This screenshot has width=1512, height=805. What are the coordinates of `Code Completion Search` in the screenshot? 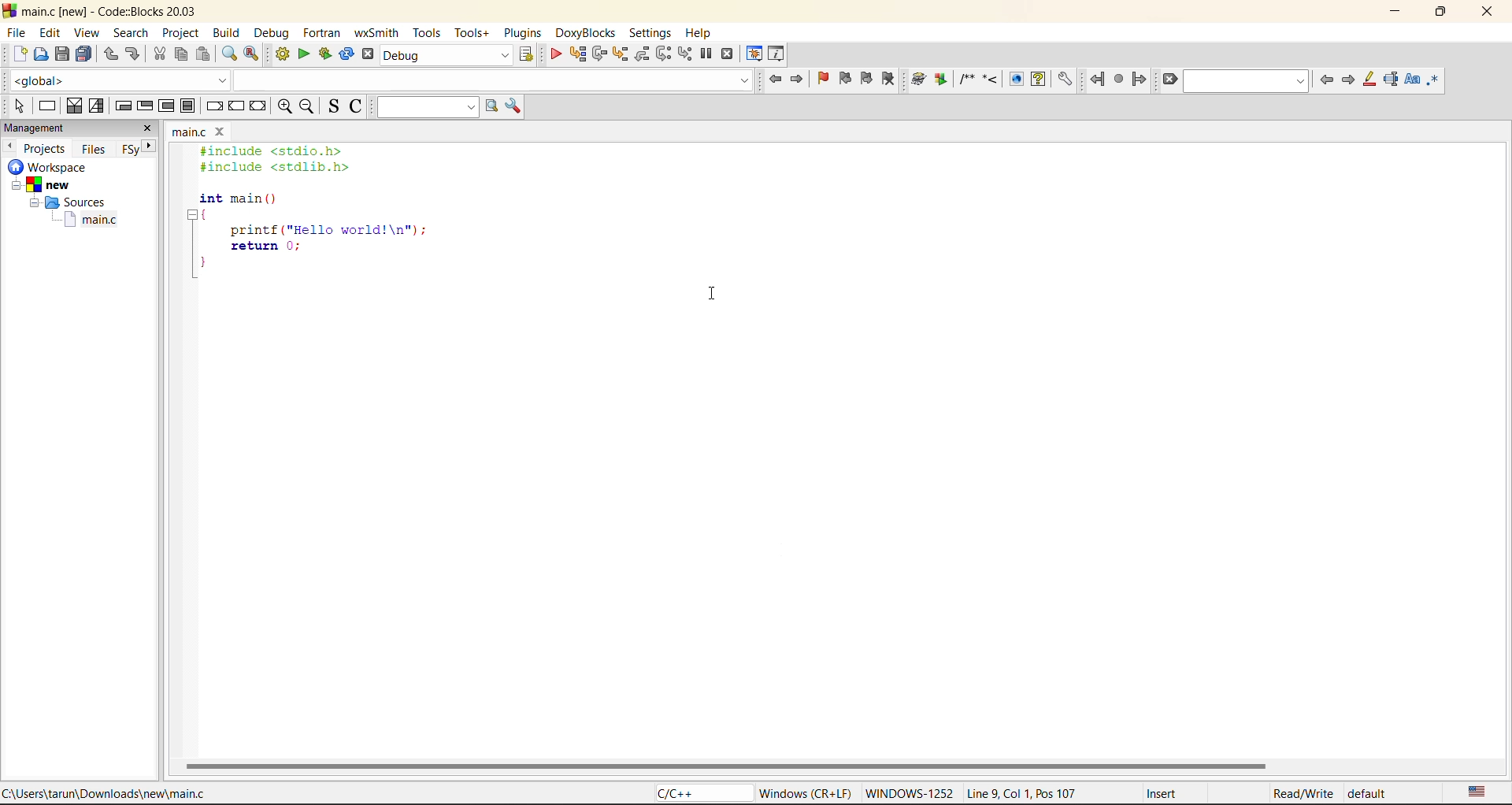 It's located at (493, 80).